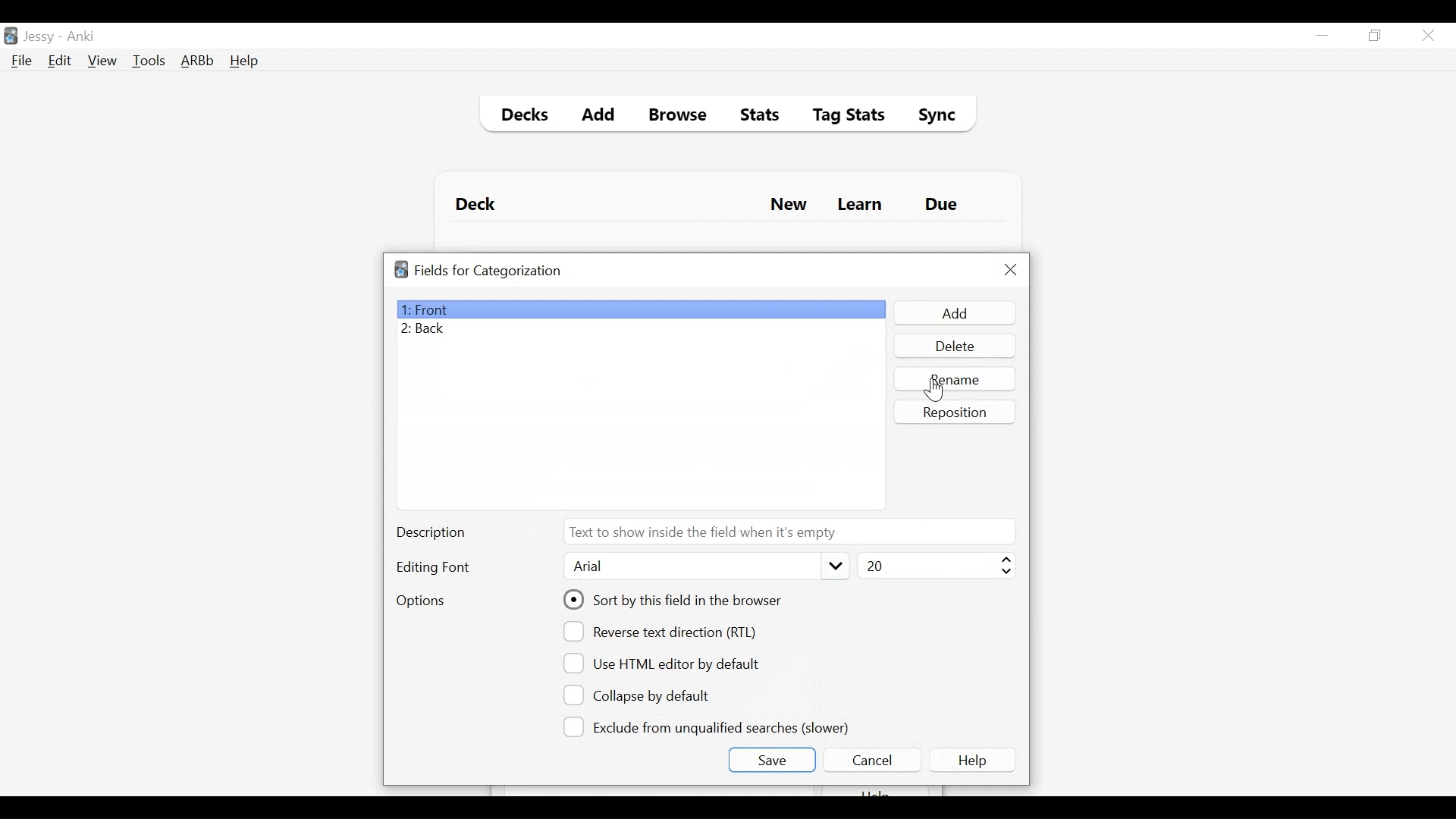  Describe the element at coordinates (667, 632) in the screenshot. I see `(un)select RTL` at that location.